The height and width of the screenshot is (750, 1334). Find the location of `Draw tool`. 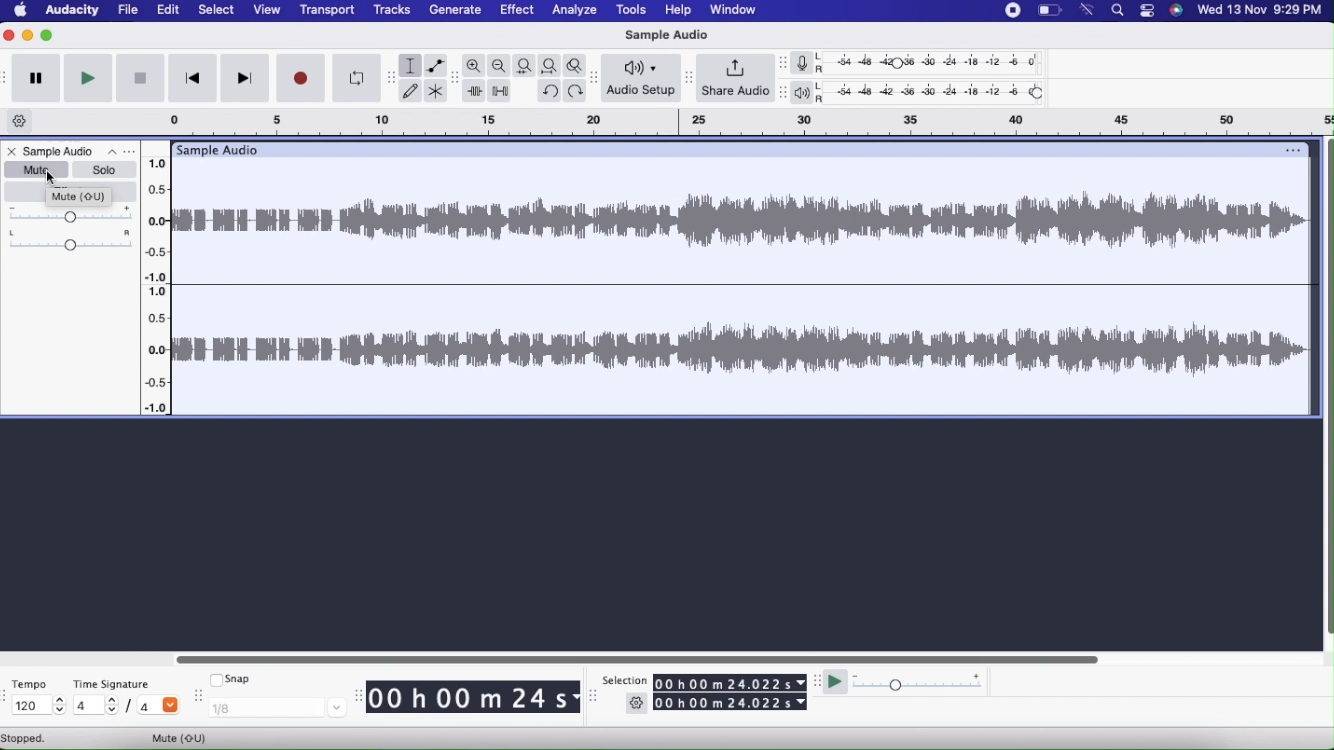

Draw tool is located at coordinates (411, 90).